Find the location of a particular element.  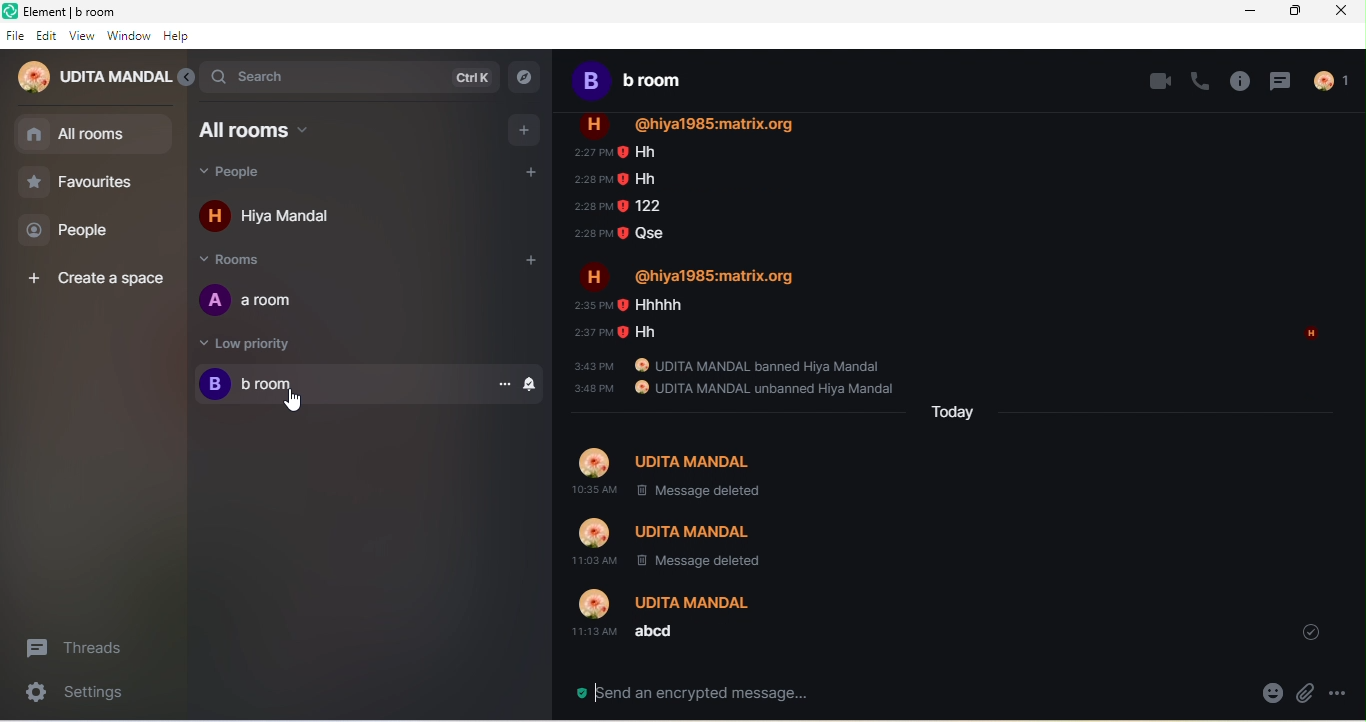

title is located at coordinates (100, 13).